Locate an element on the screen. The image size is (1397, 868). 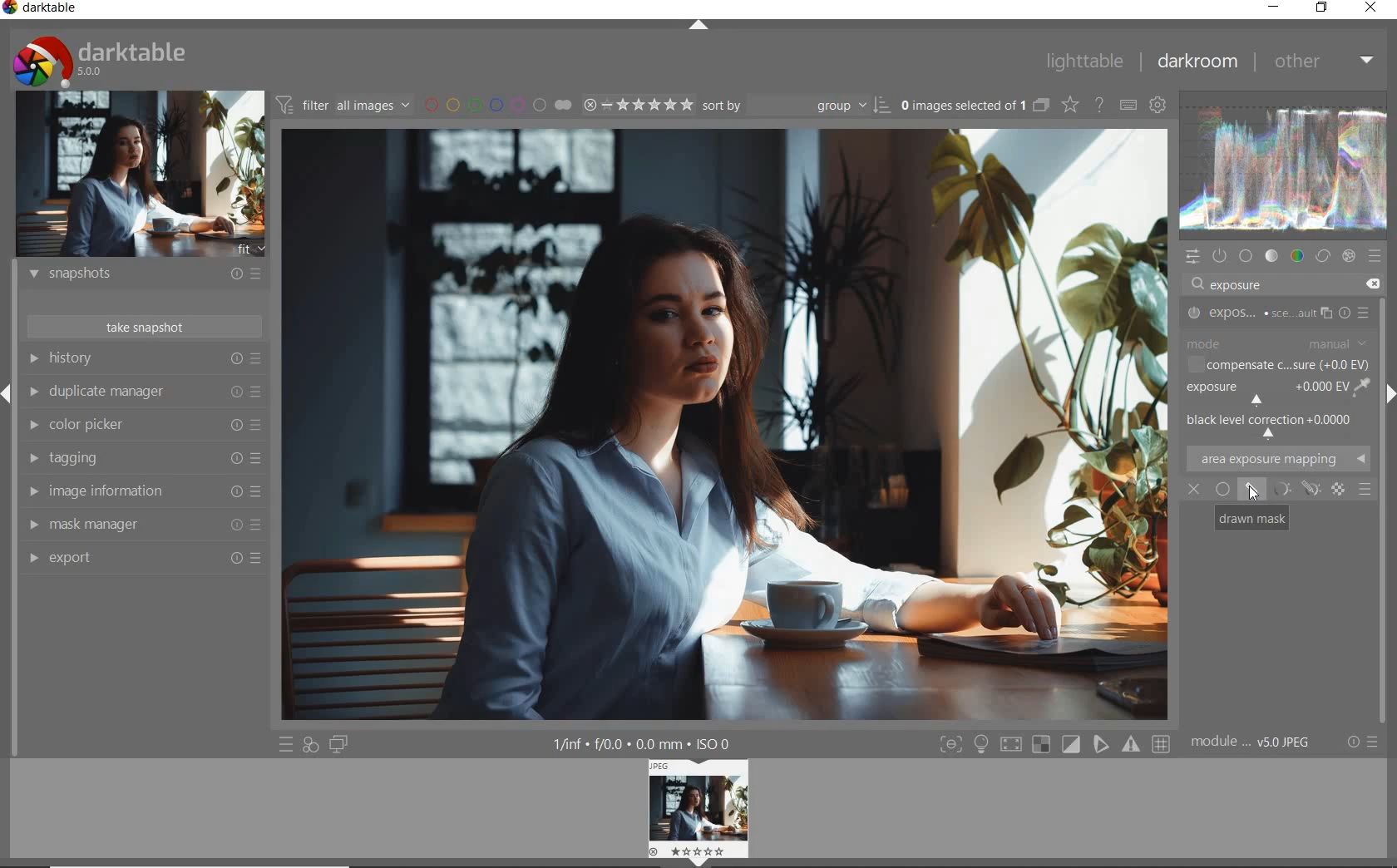
range rating of selected images is located at coordinates (638, 105).